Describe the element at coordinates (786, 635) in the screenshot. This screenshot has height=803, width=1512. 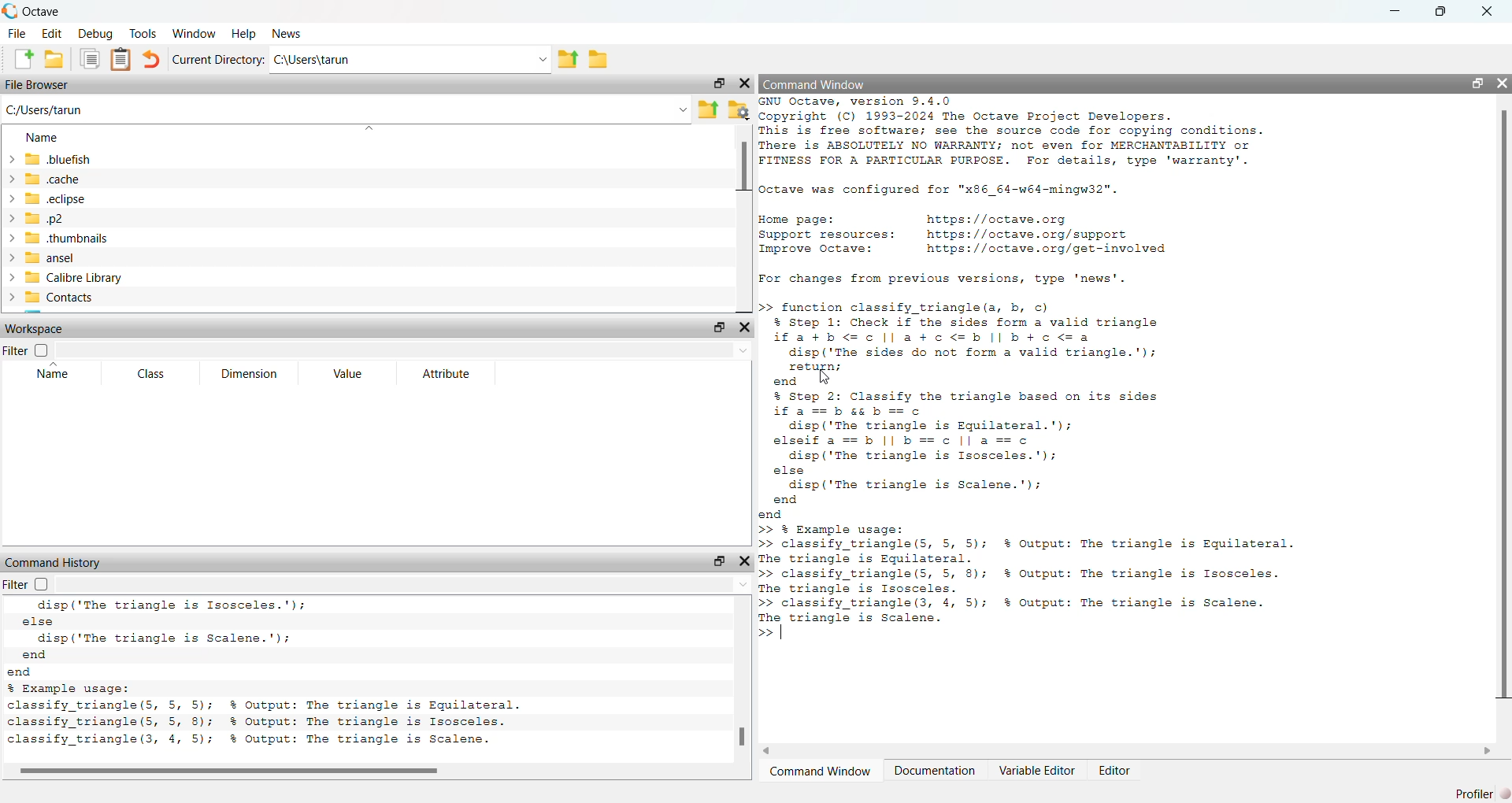
I see `typing cursor` at that location.